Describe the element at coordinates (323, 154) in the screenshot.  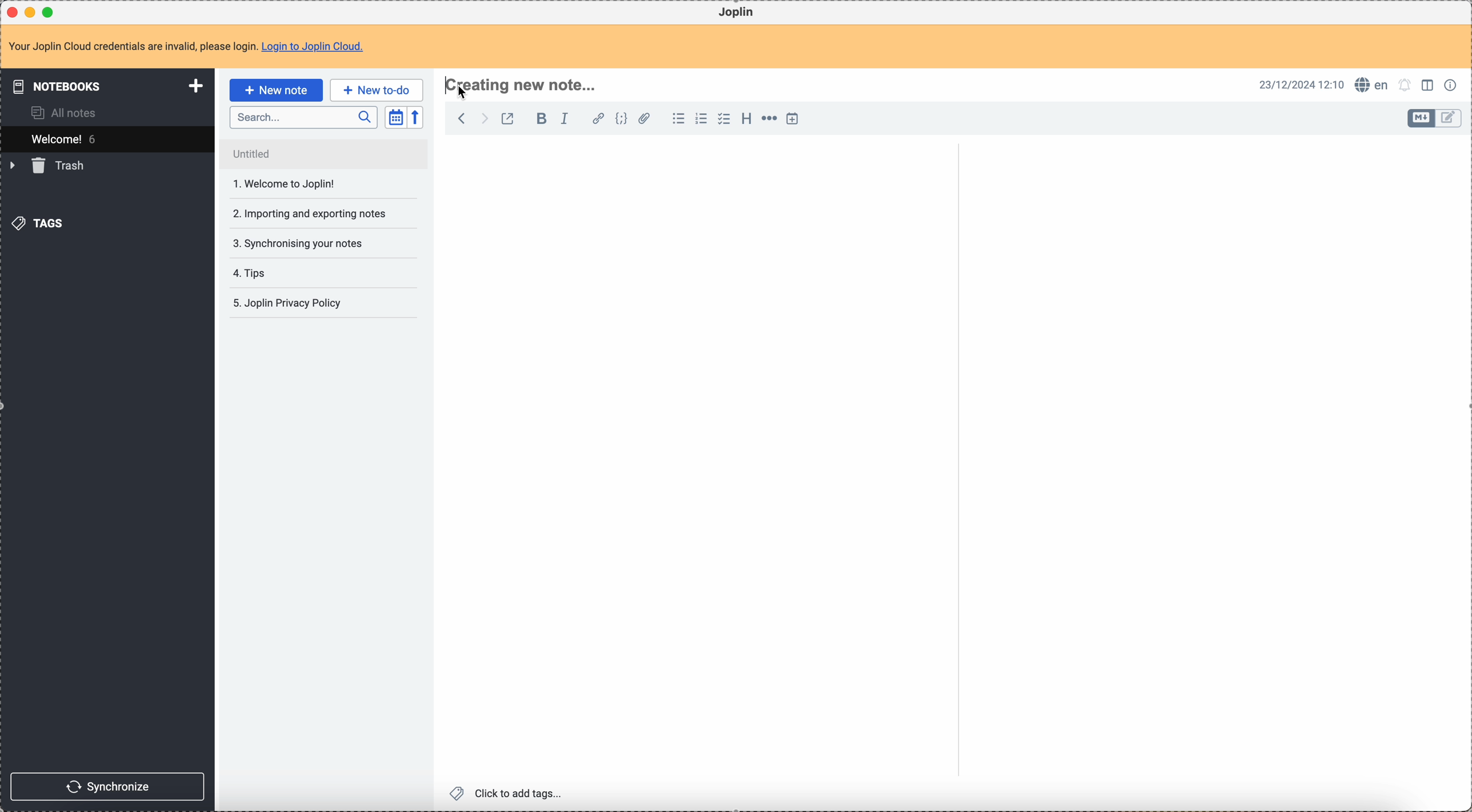
I see `untitled note` at that location.